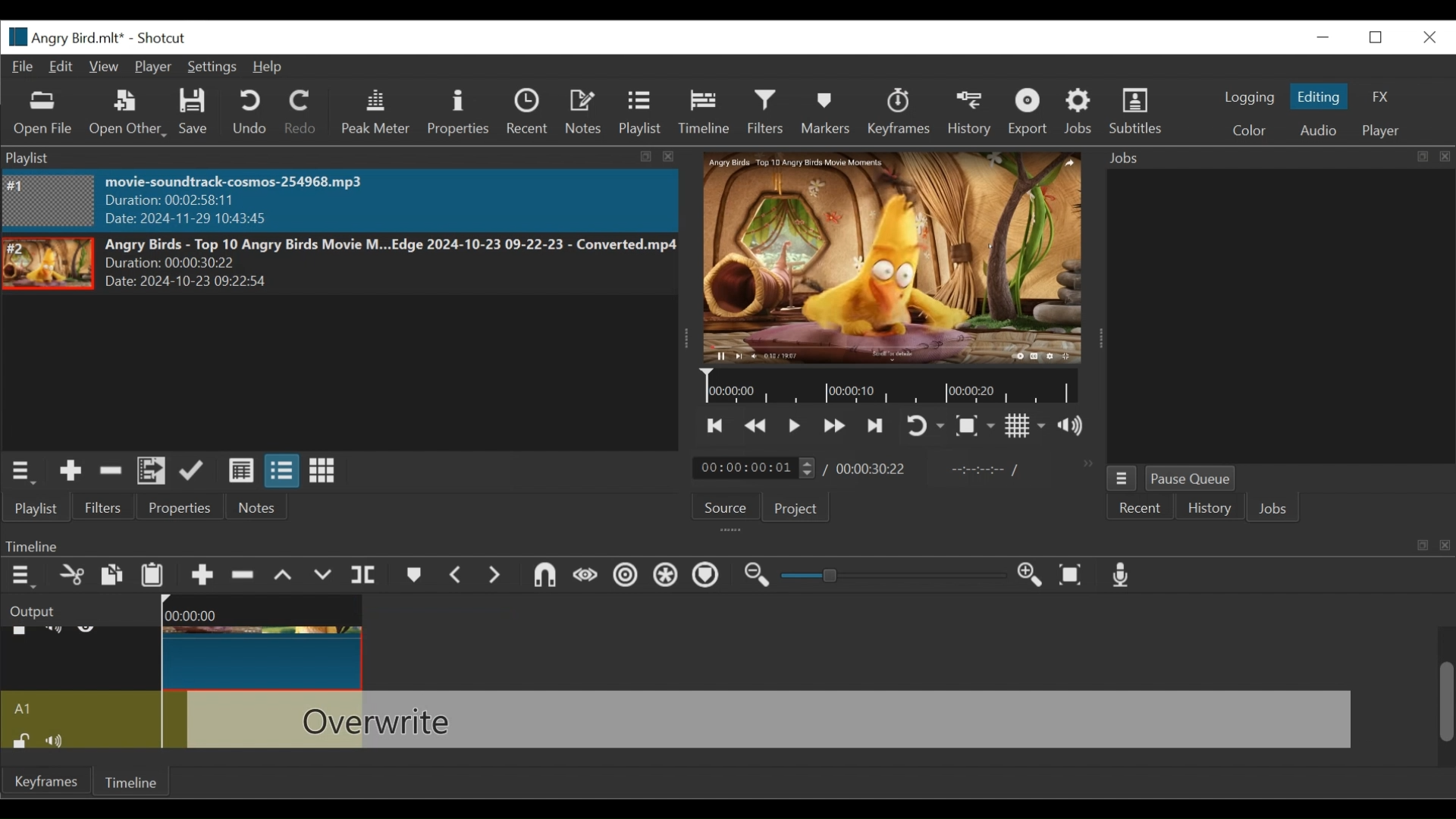 This screenshot has height=819, width=1456. Describe the element at coordinates (210, 67) in the screenshot. I see `Settings` at that location.